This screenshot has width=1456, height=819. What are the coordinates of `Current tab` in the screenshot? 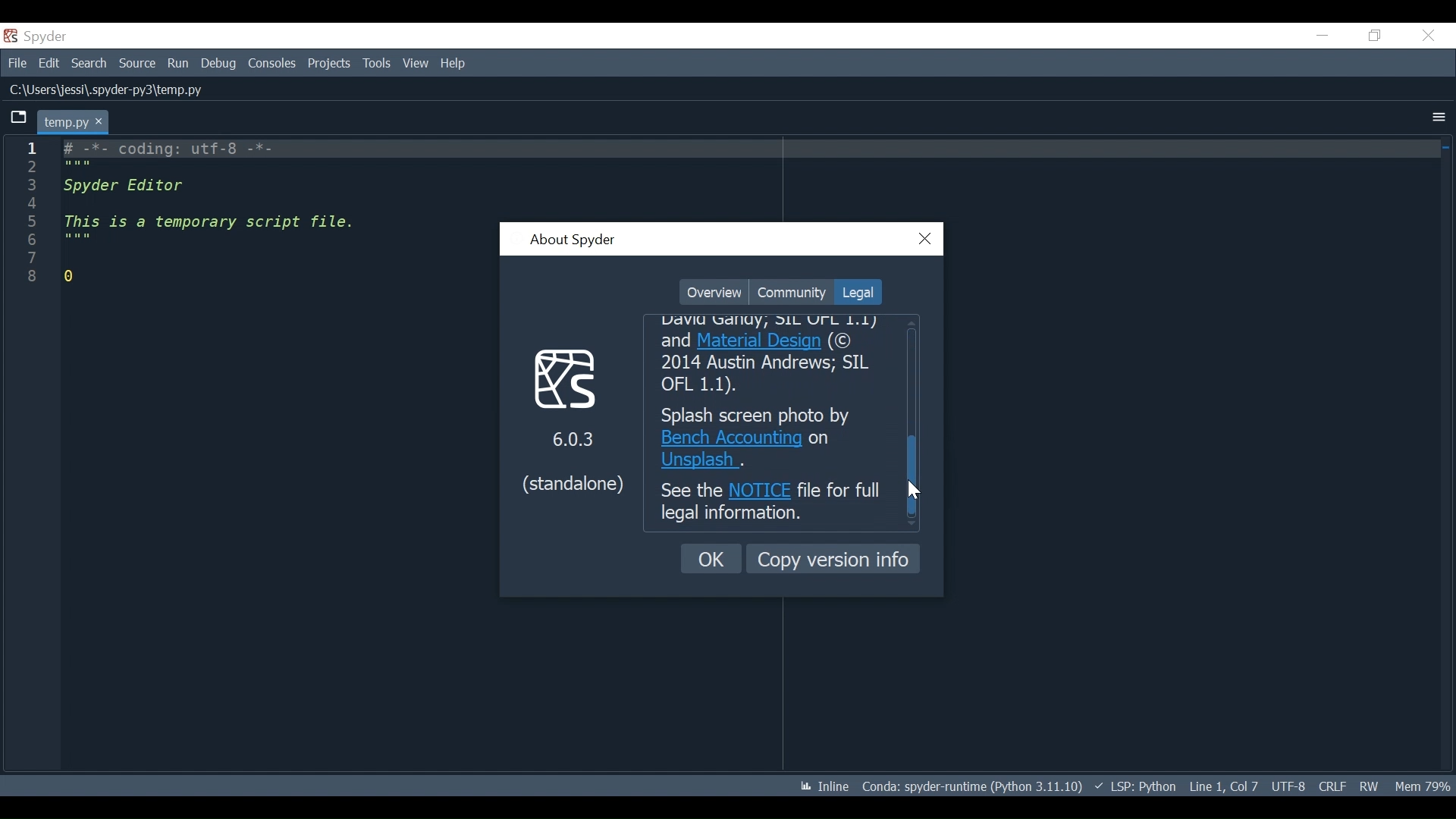 It's located at (74, 121).